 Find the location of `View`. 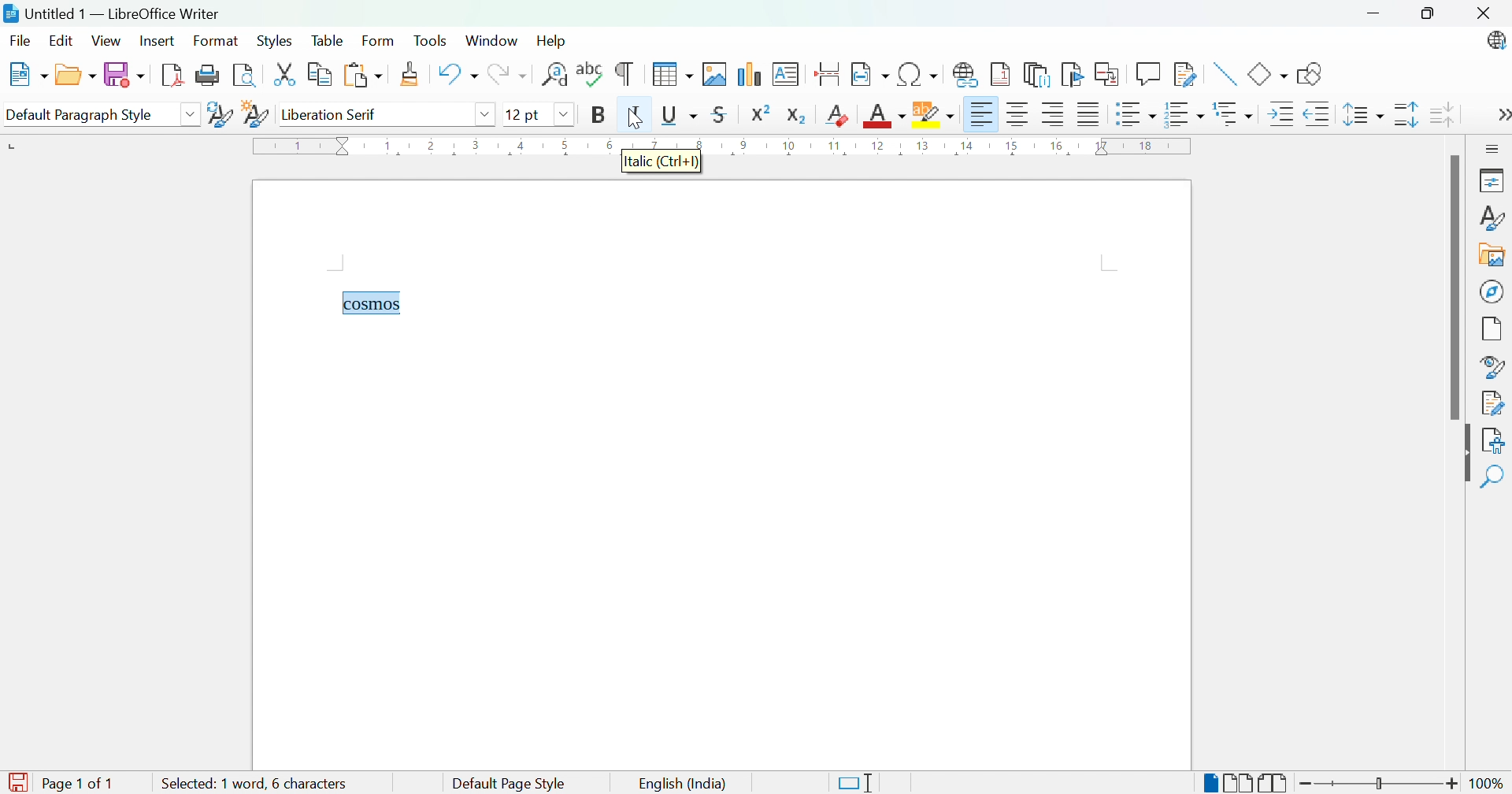

View is located at coordinates (108, 40).